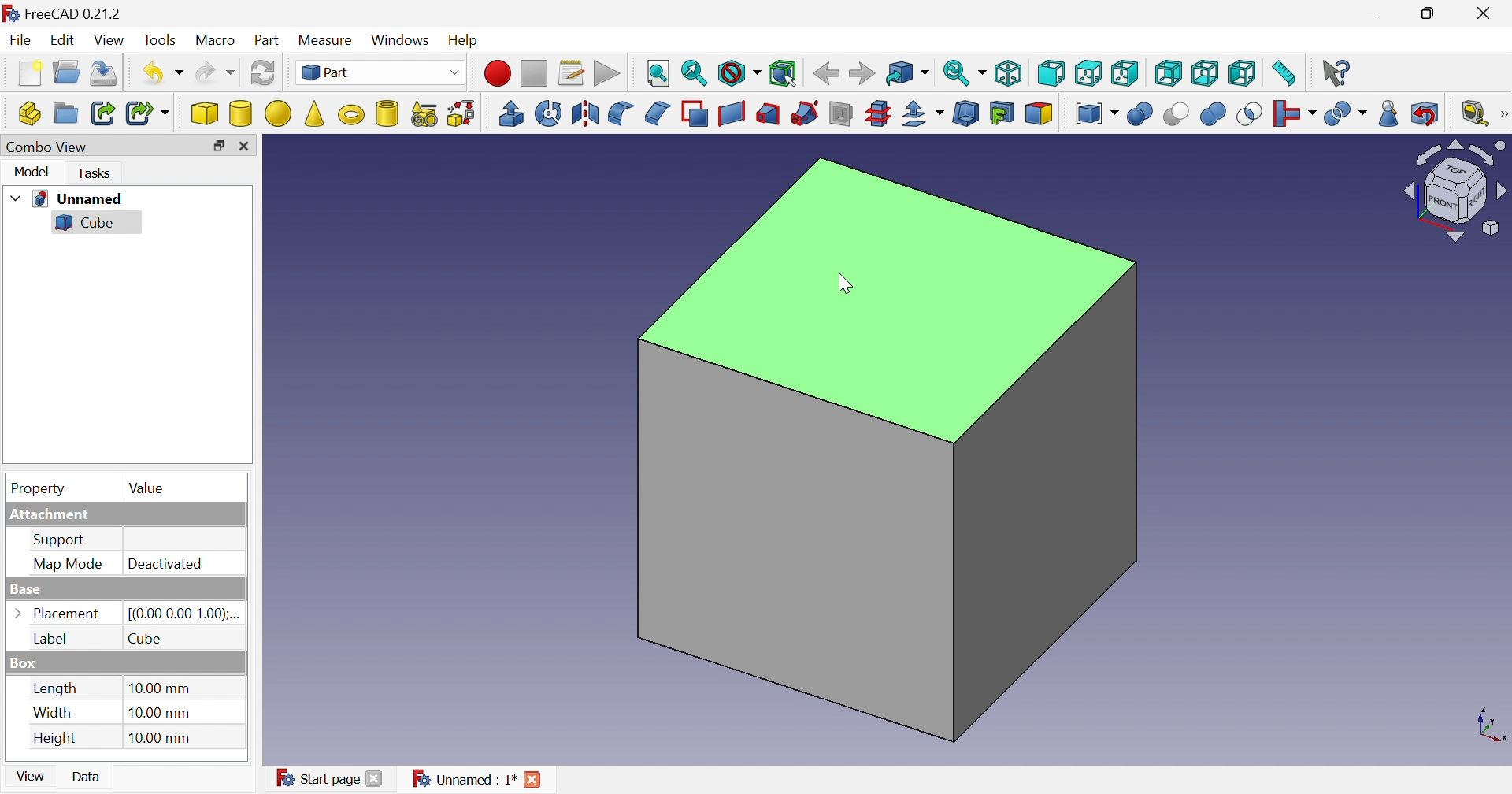  I want to click on Check geometry, so click(1389, 114).